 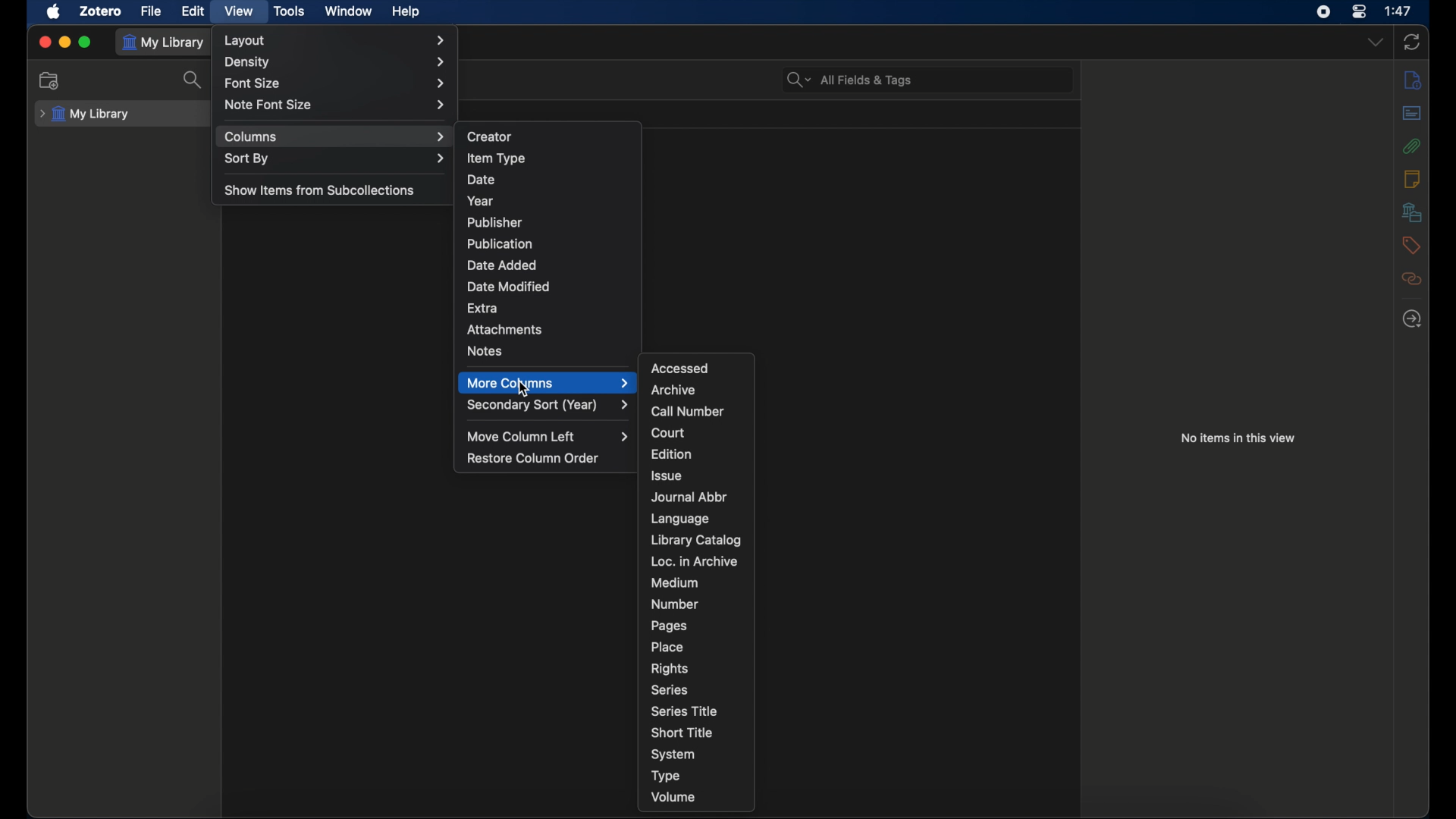 What do you see at coordinates (675, 583) in the screenshot?
I see `medium` at bounding box center [675, 583].